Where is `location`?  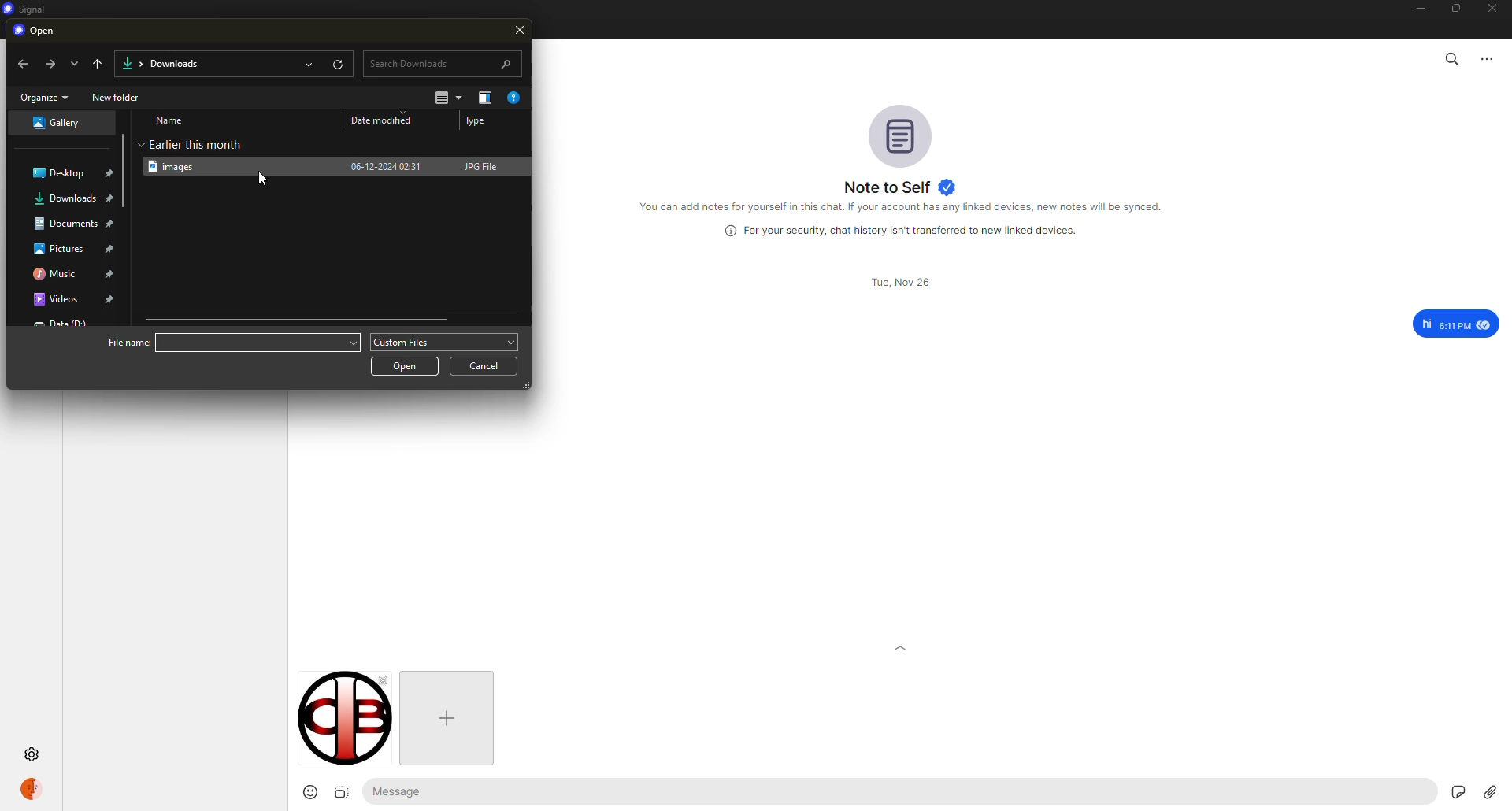
location is located at coordinates (54, 301).